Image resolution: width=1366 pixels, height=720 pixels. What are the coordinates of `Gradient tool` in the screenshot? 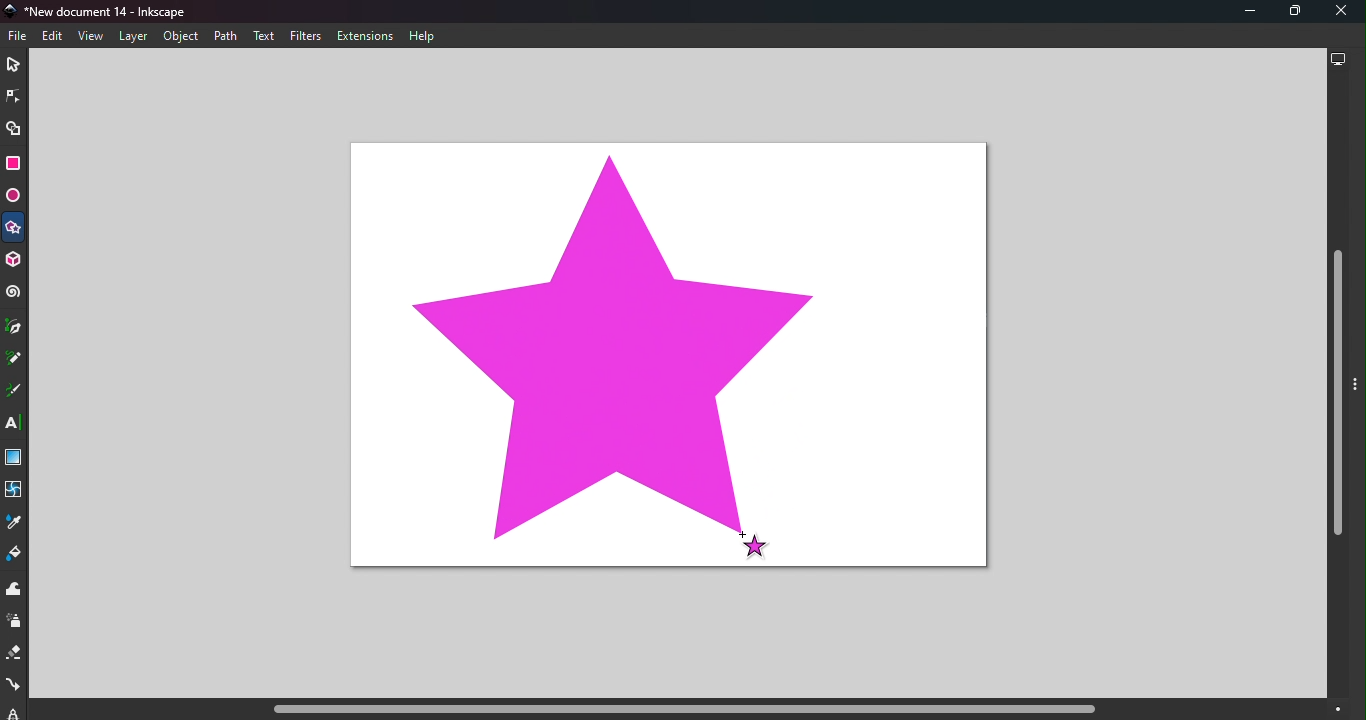 It's located at (15, 459).